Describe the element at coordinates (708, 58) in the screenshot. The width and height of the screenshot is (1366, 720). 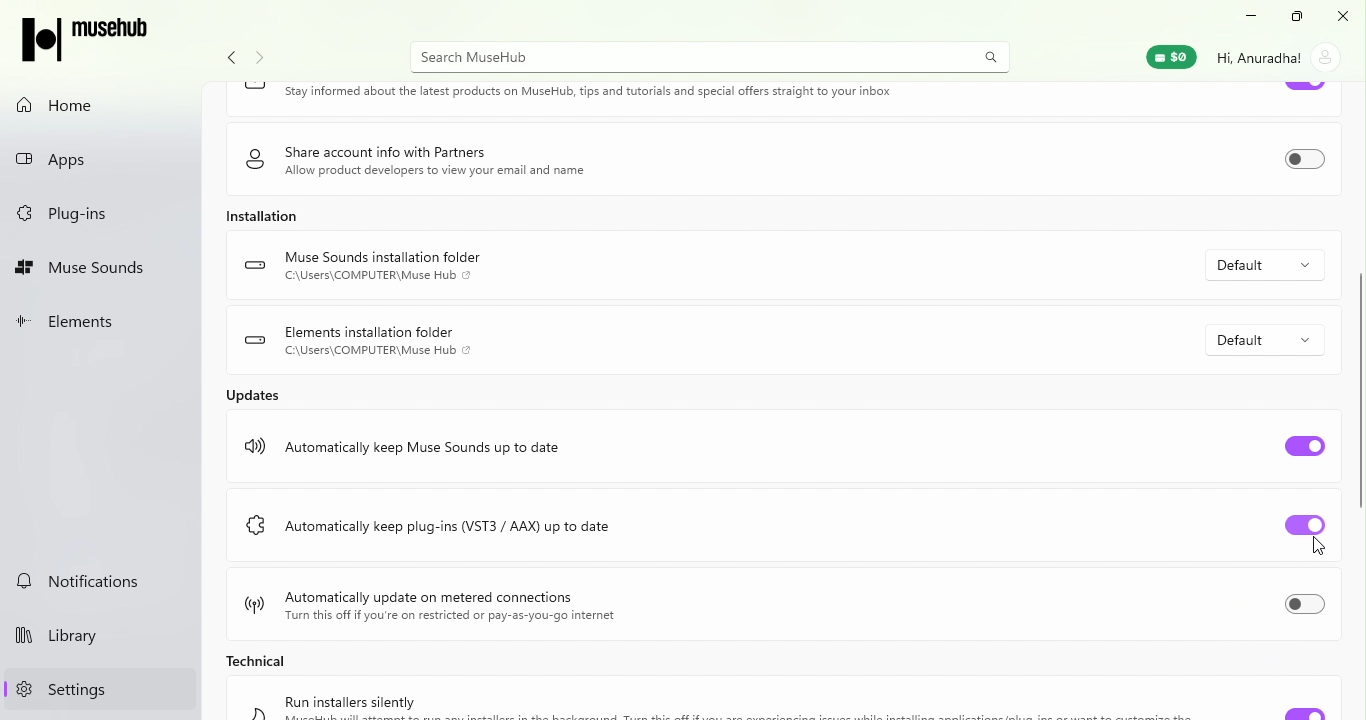
I see `Search MuseHUb` at that location.